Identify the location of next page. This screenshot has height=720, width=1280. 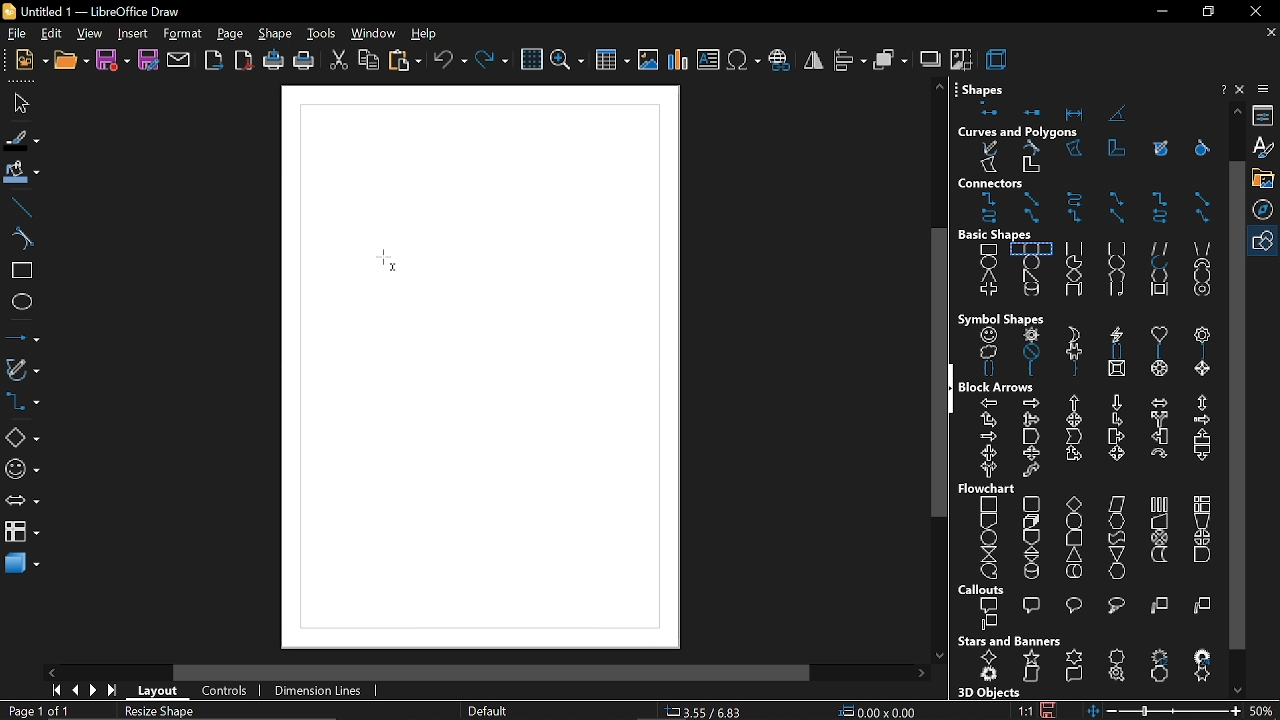
(93, 691).